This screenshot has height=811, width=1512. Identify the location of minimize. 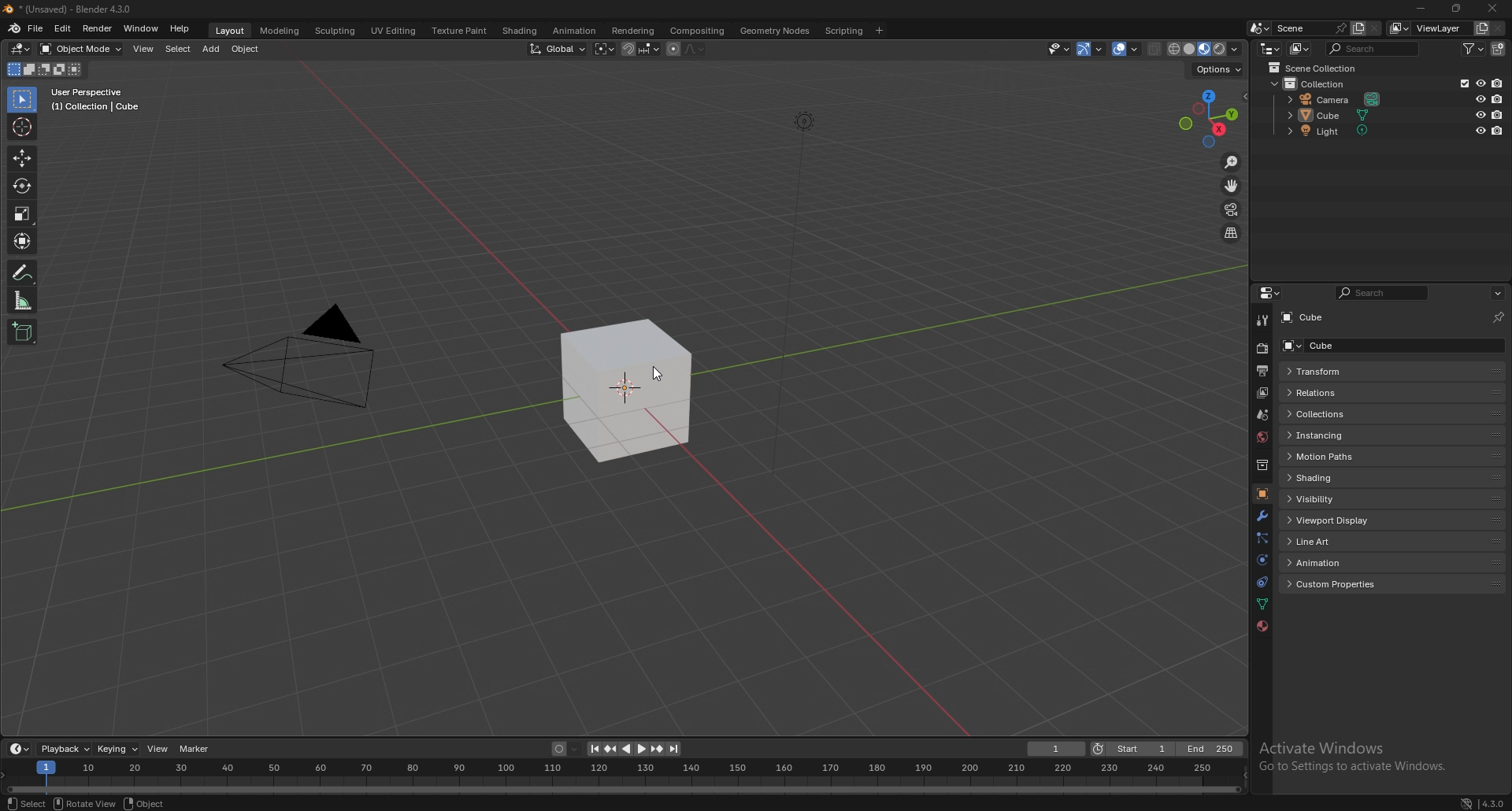
(1421, 9).